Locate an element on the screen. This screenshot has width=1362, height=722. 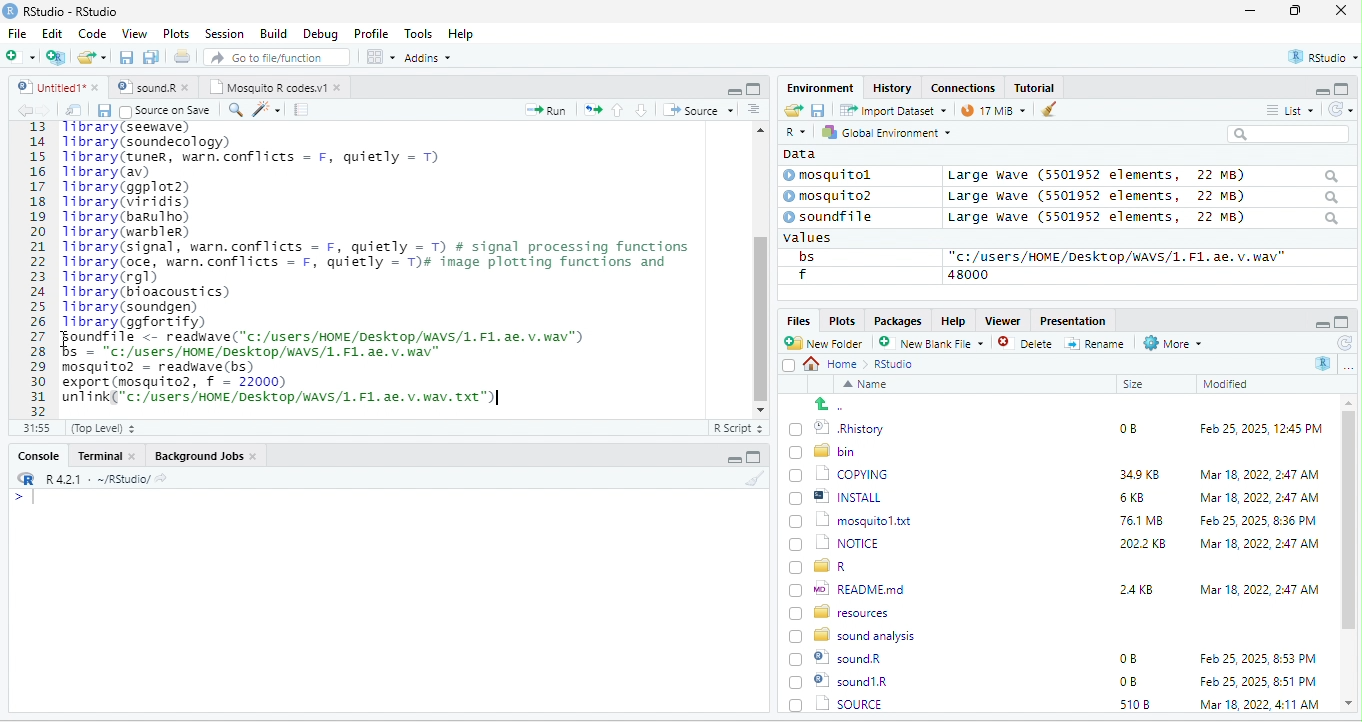
File is located at coordinates (17, 33).